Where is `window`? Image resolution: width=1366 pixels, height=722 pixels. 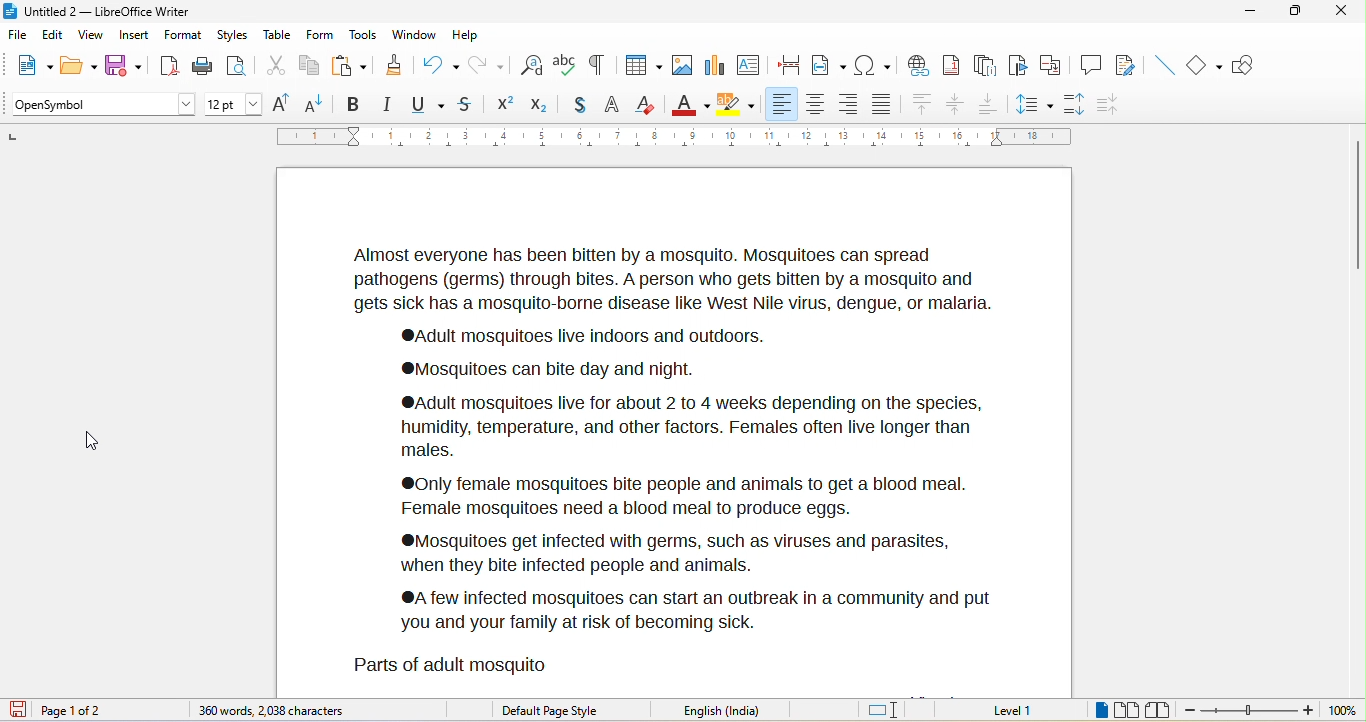 window is located at coordinates (414, 34).